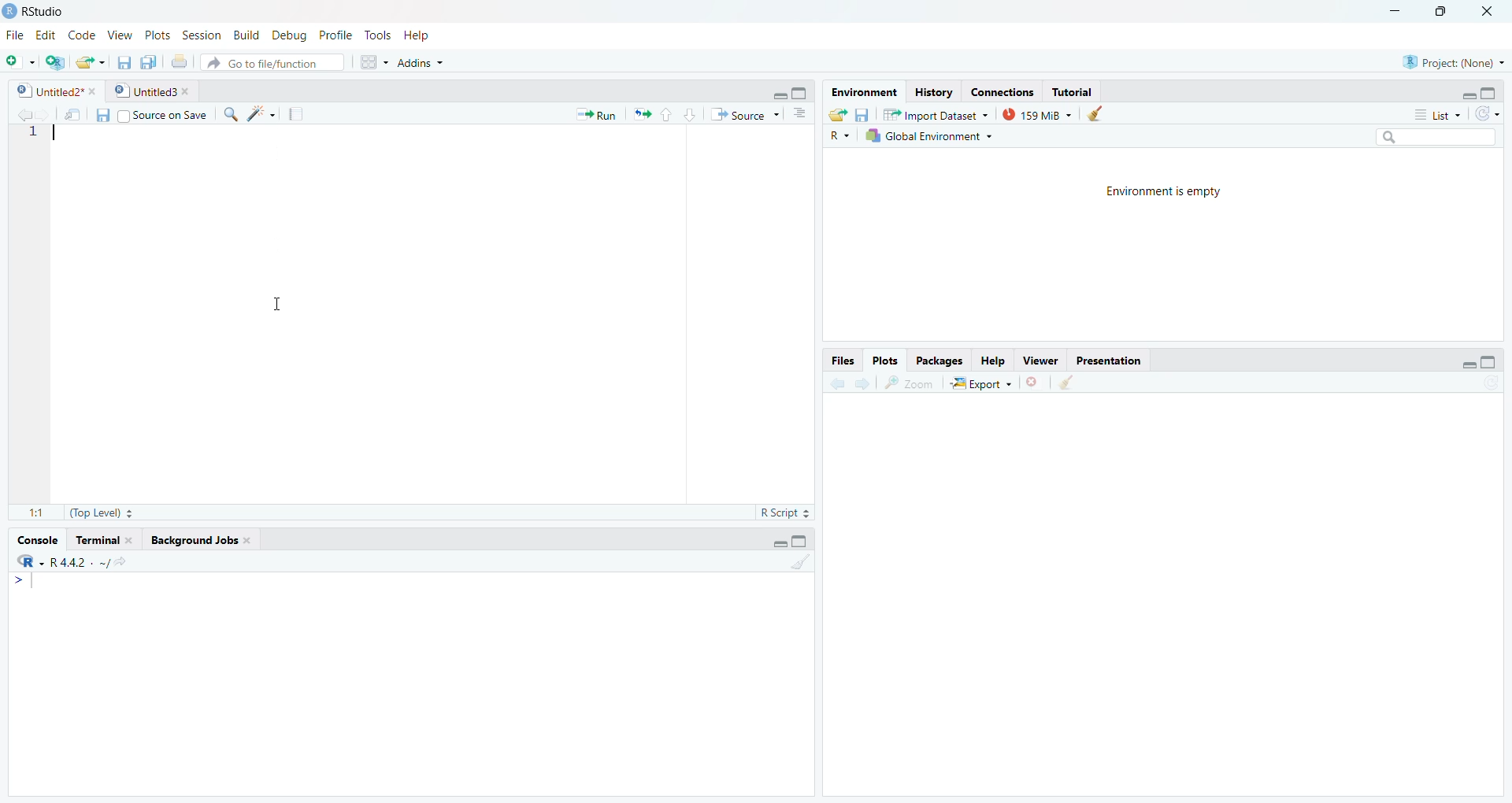 The image size is (1512, 803). Describe the element at coordinates (38, 515) in the screenshot. I see `1:1` at that location.